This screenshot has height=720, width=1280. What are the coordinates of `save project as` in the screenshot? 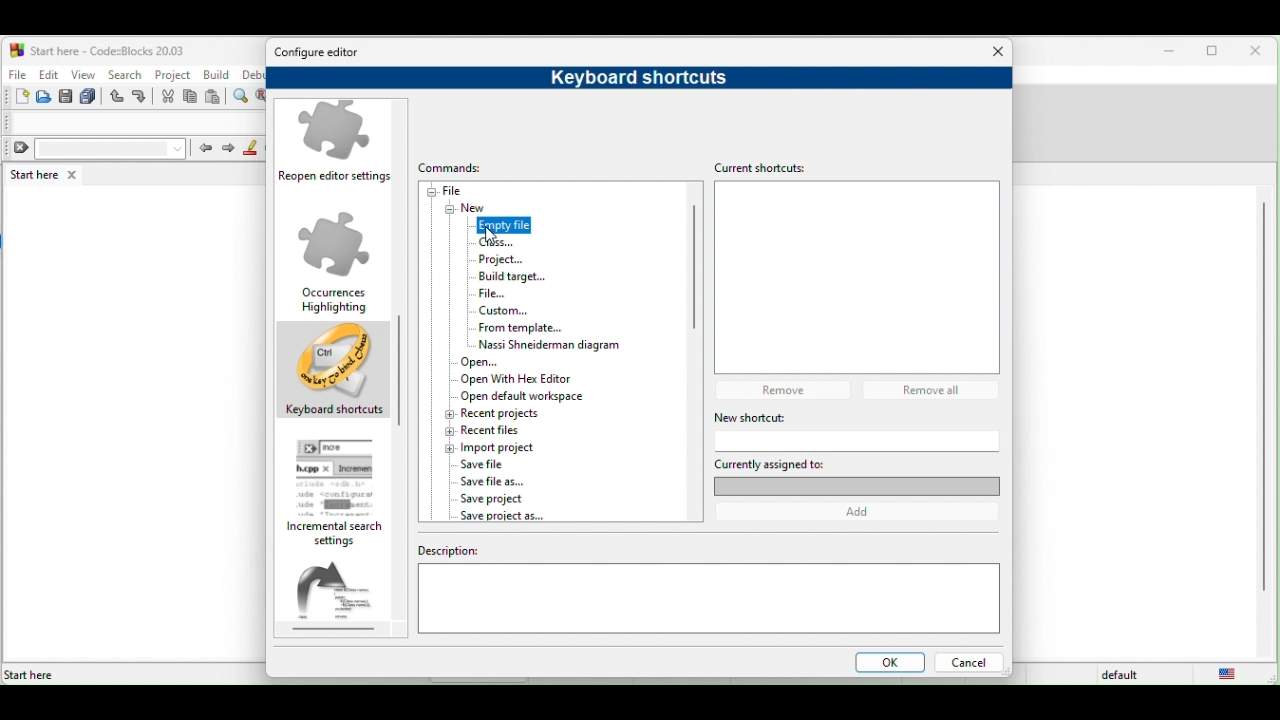 It's located at (501, 516).